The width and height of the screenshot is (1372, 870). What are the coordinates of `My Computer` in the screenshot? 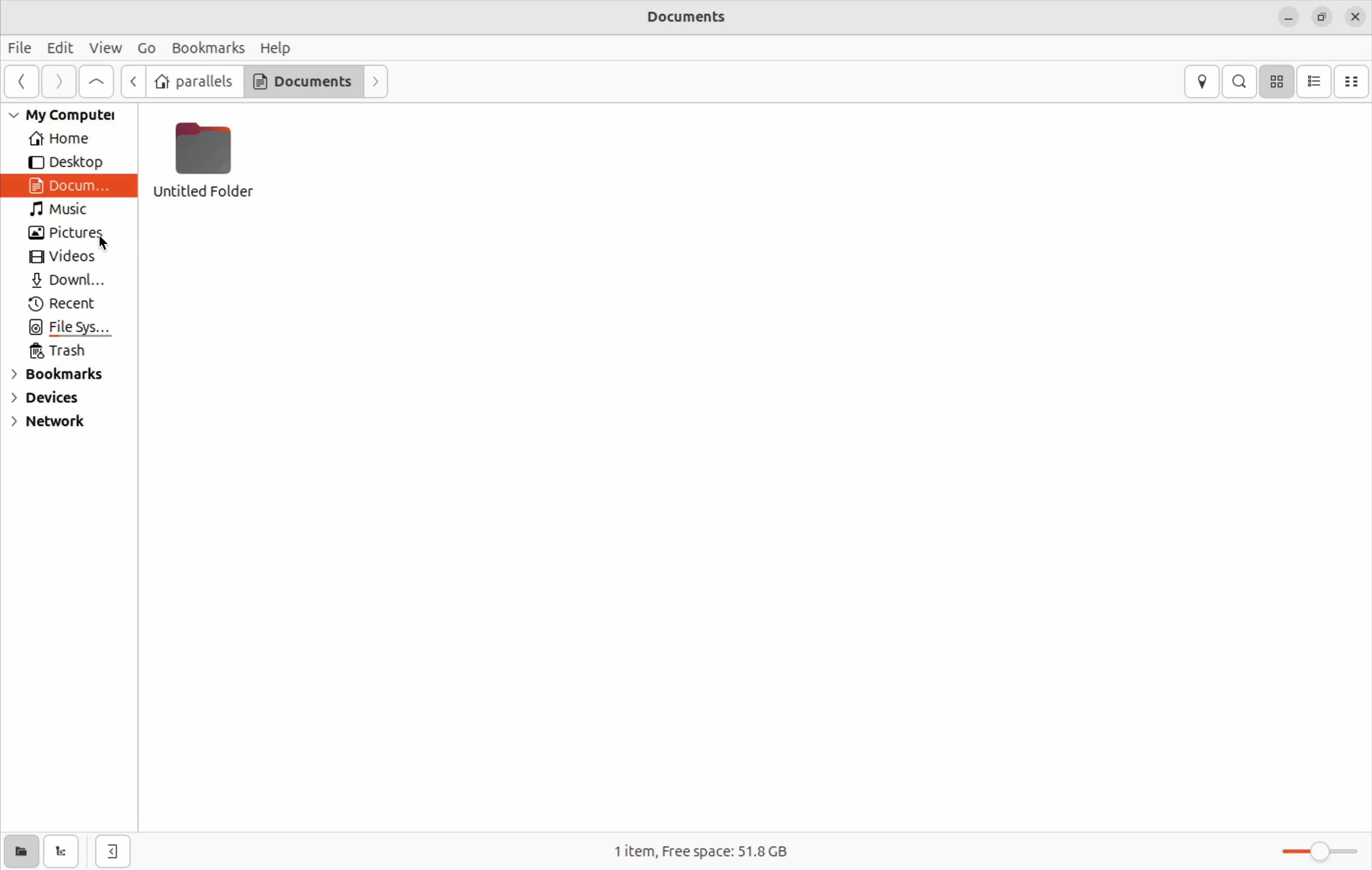 It's located at (68, 116).